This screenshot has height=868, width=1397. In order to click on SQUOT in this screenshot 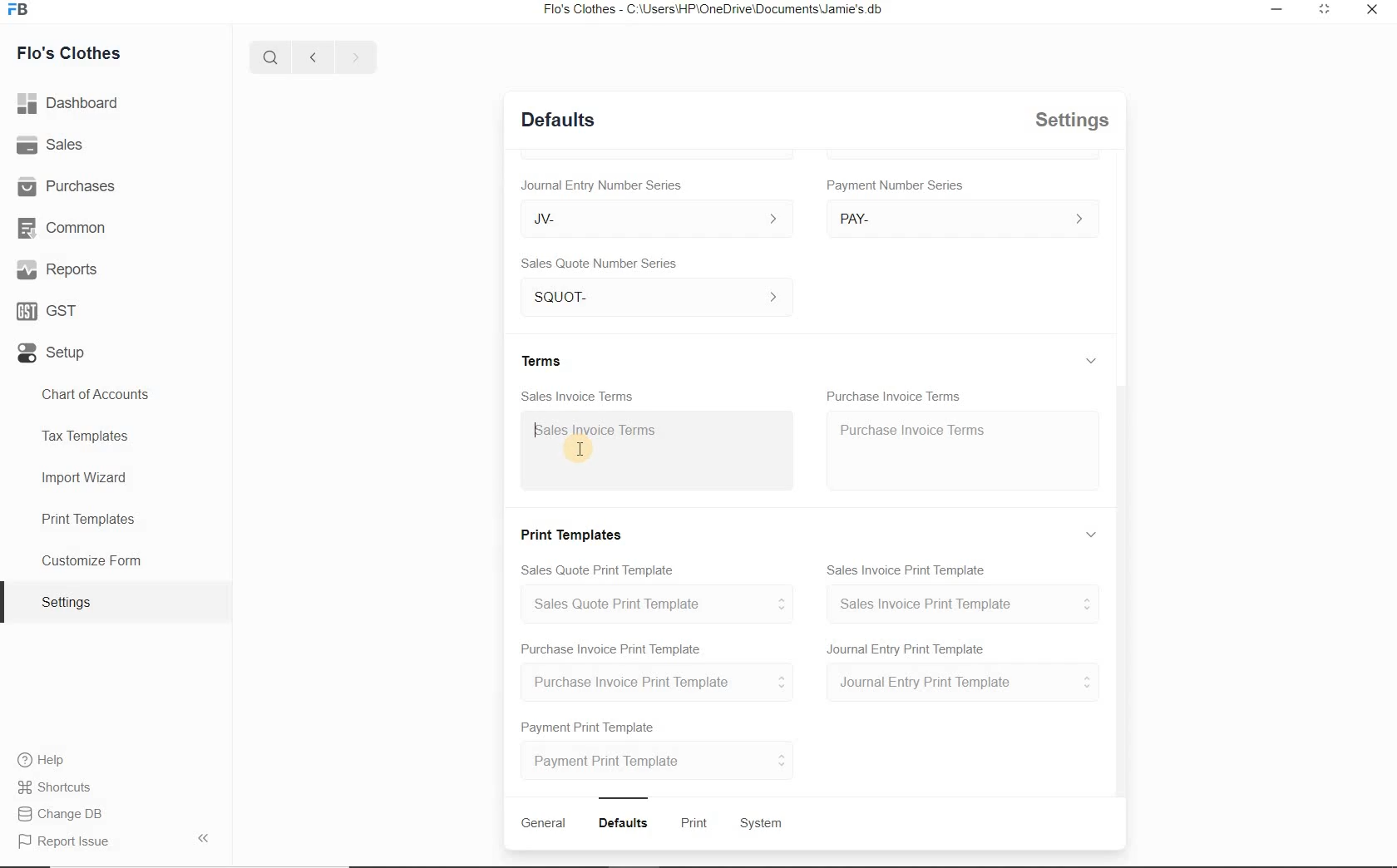, I will do `click(662, 294)`.